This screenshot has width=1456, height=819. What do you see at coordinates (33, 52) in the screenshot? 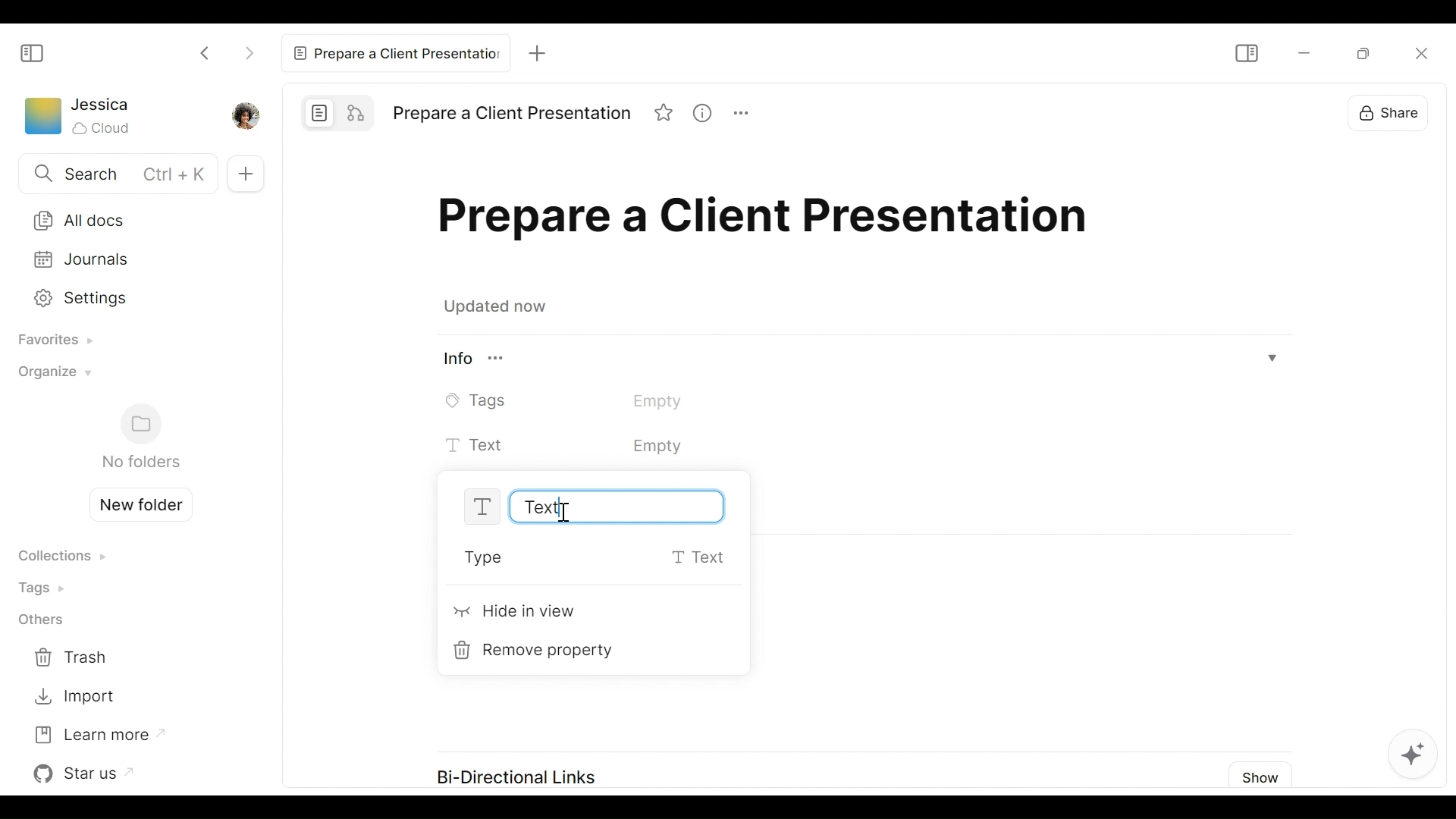
I see `Show/Hide Sidebar` at bounding box center [33, 52].